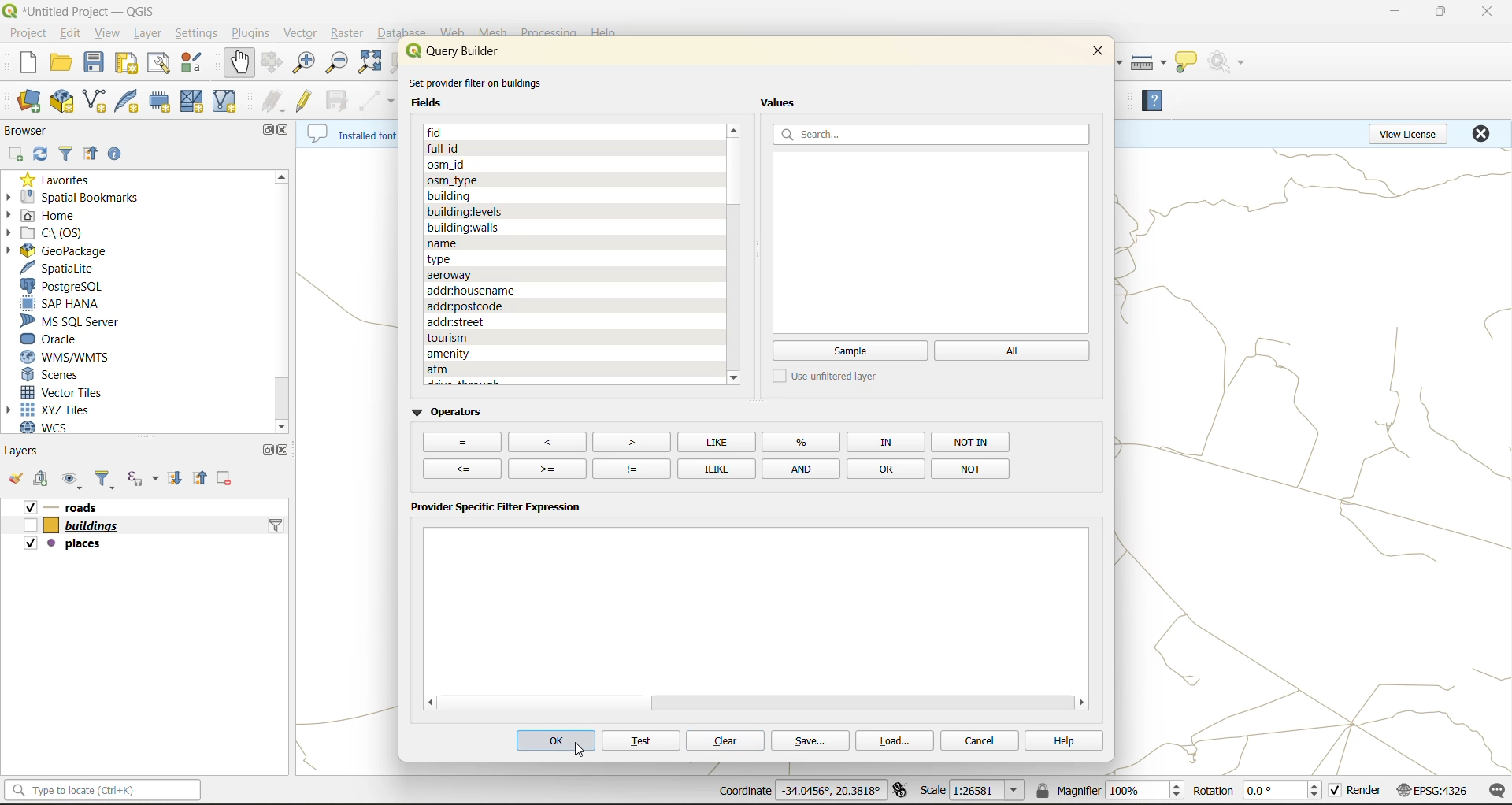 The image size is (1512, 805). I want to click on magnifier, so click(1111, 792).